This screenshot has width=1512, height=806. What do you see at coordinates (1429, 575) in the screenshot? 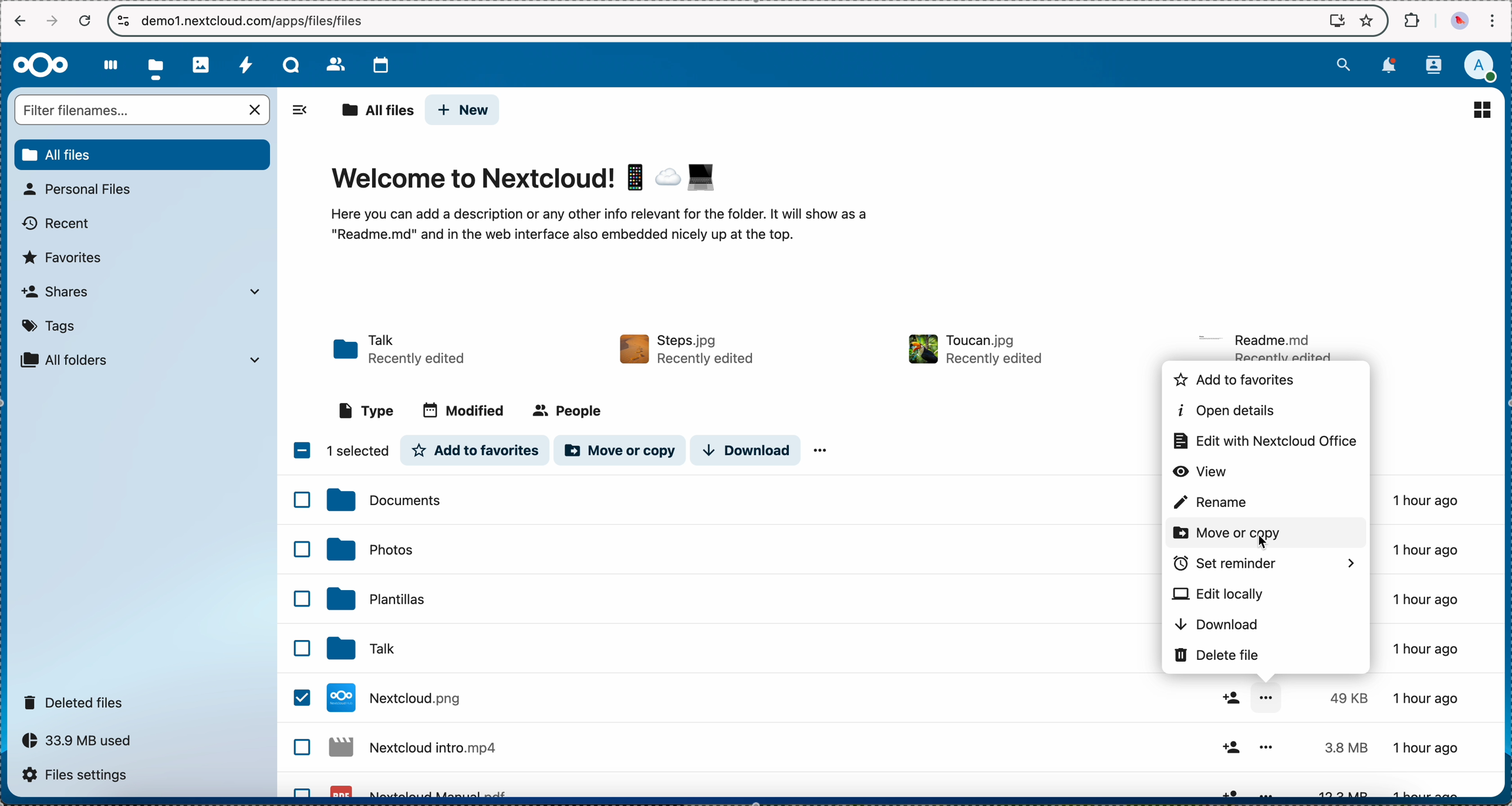
I see `1 hour ago` at bounding box center [1429, 575].